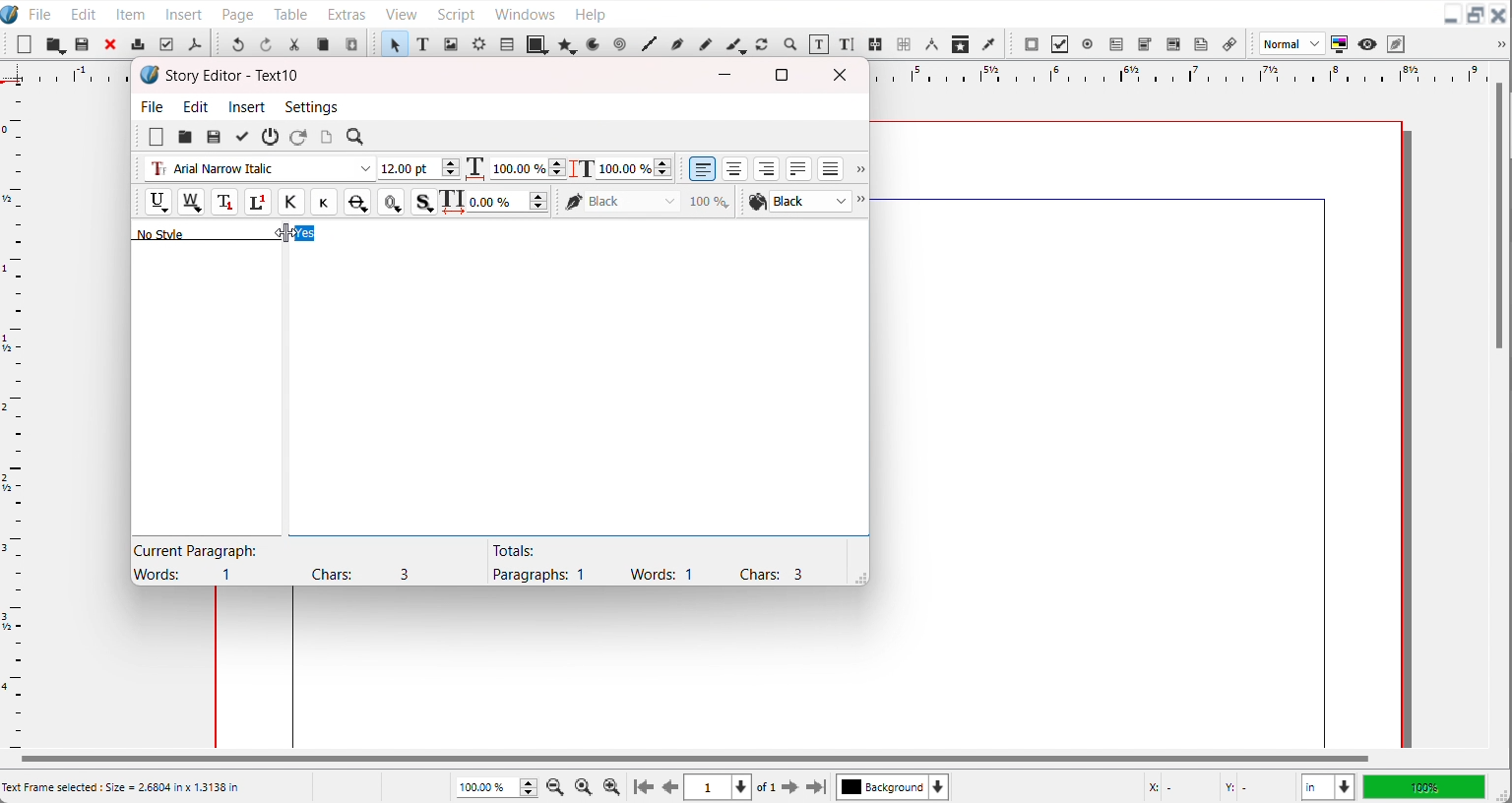 The width and height of the screenshot is (1512, 803). I want to click on Cut, so click(294, 44).